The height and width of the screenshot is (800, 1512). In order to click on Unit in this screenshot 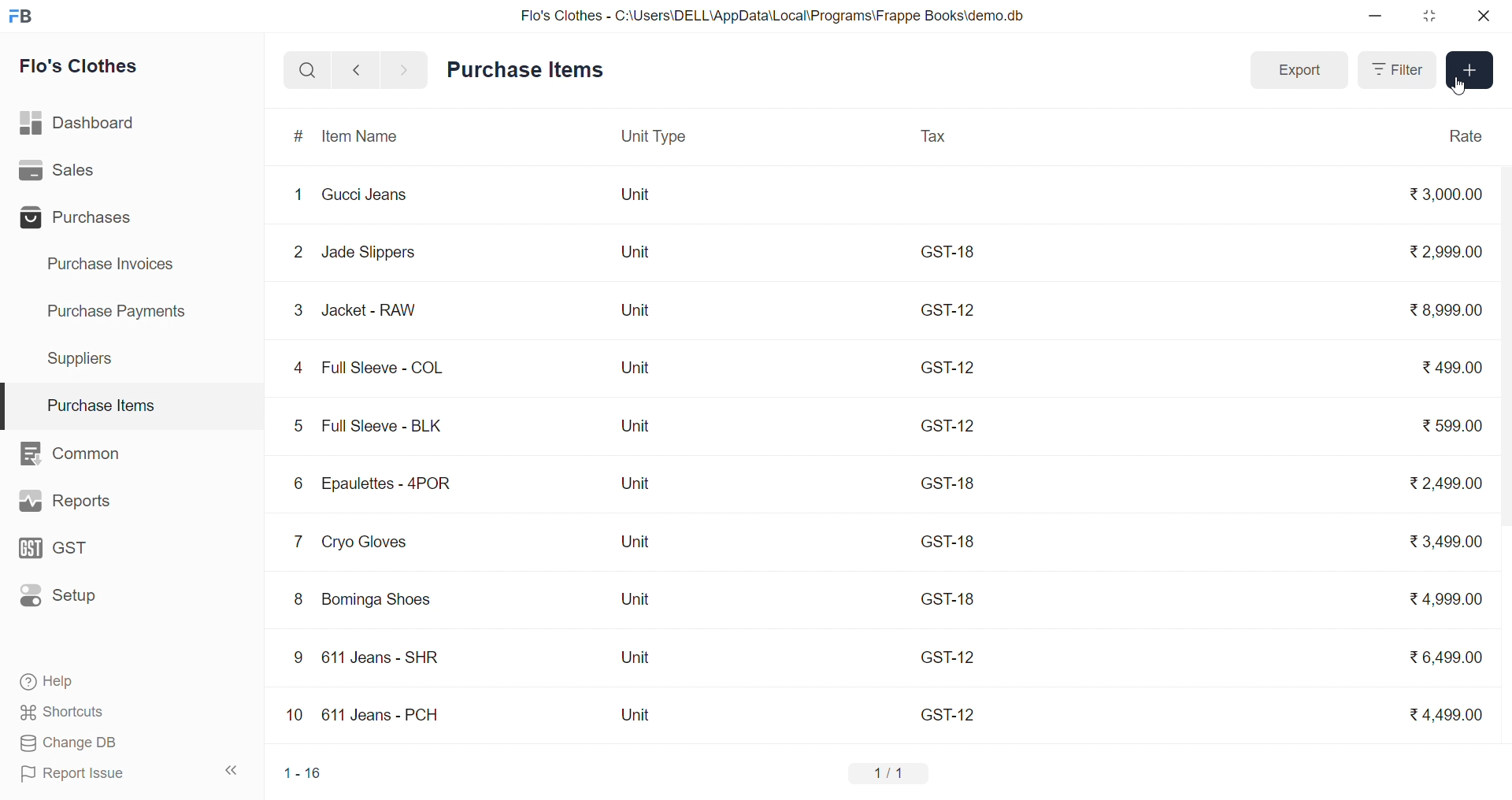, I will do `click(637, 250)`.